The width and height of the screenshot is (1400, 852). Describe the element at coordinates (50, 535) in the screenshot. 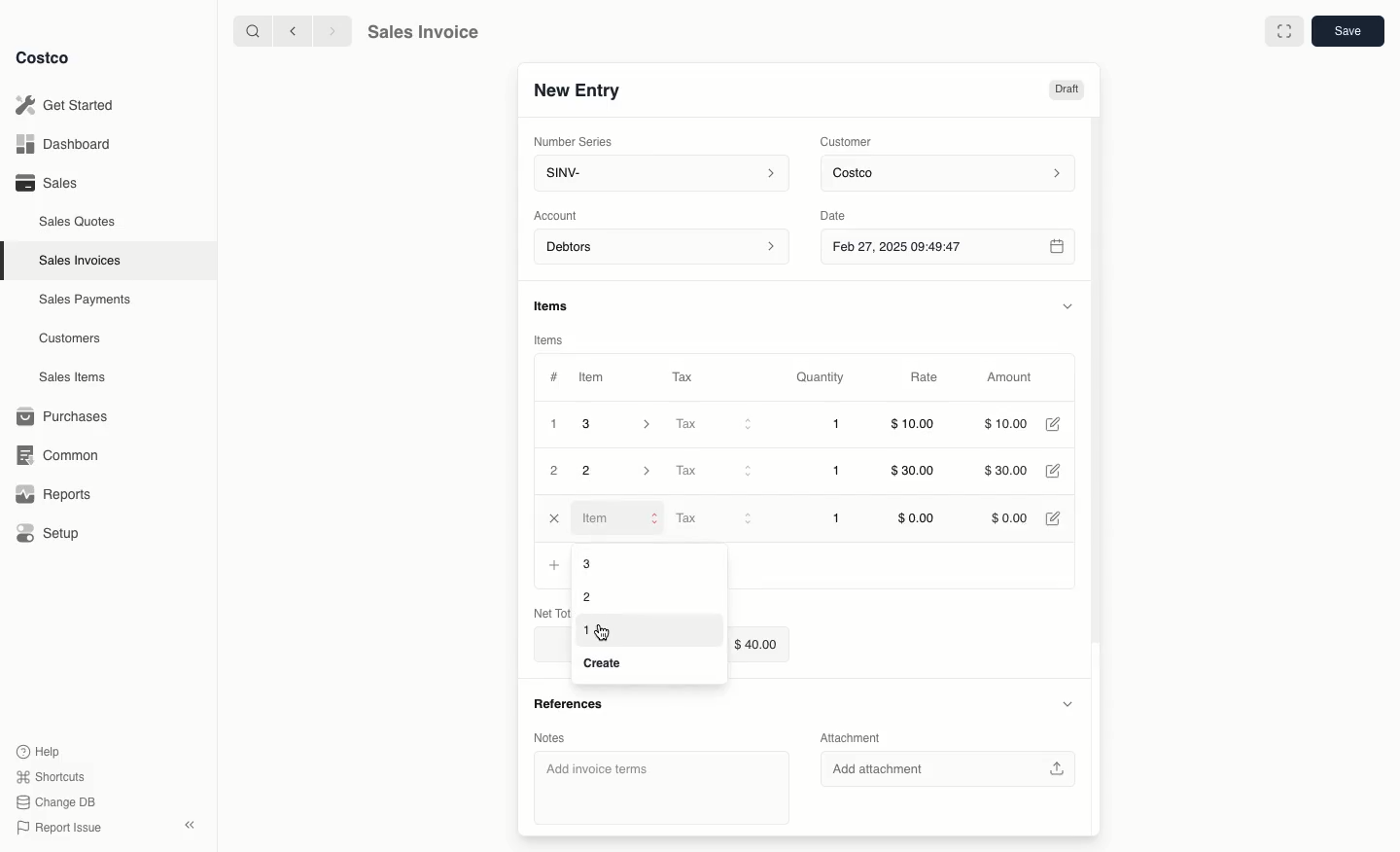

I see `Setup` at that location.